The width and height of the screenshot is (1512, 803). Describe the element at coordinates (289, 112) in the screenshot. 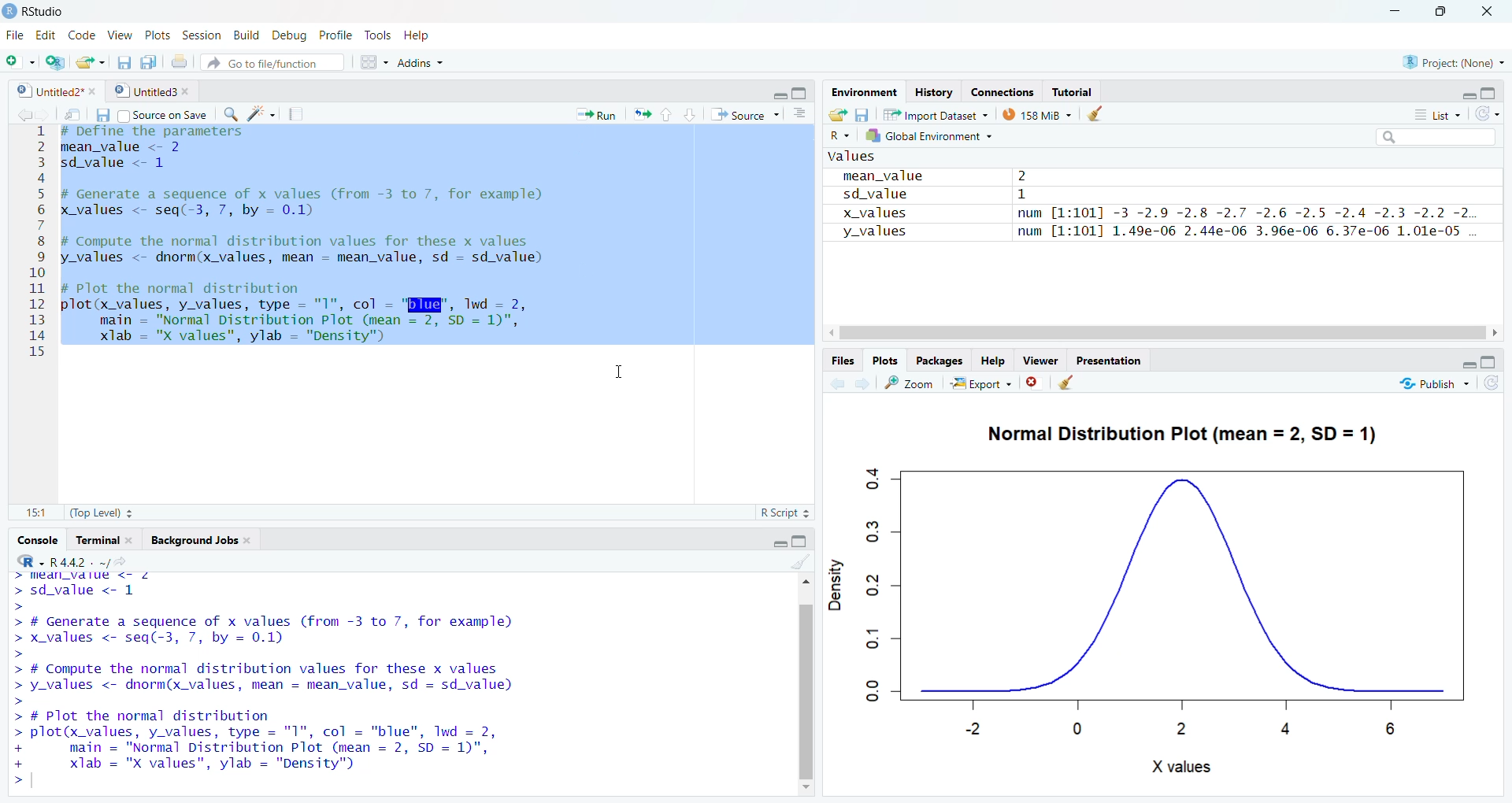

I see `compile report` at that location.